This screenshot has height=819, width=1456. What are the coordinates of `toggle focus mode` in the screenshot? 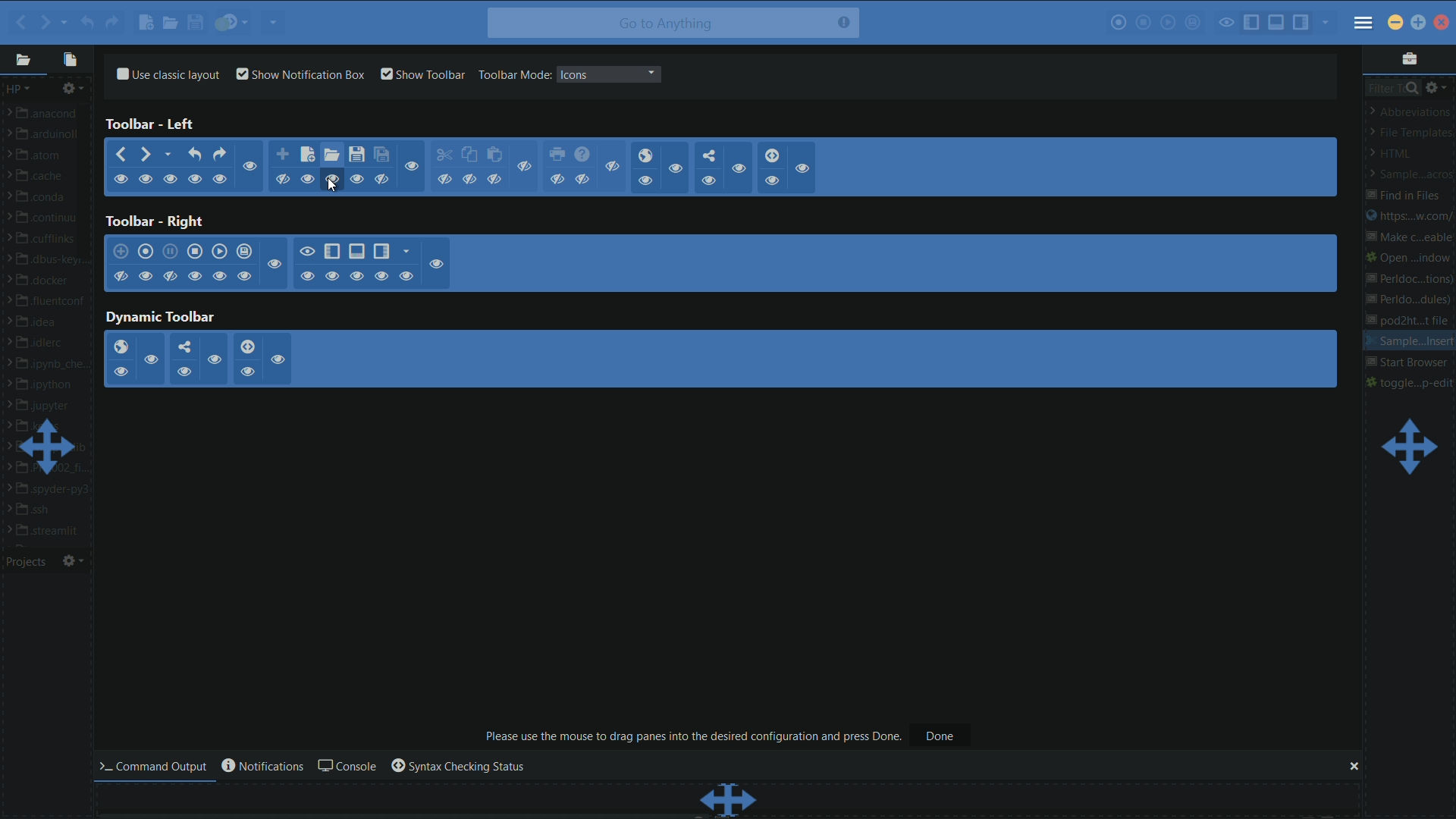 It's located at (1227, 22).